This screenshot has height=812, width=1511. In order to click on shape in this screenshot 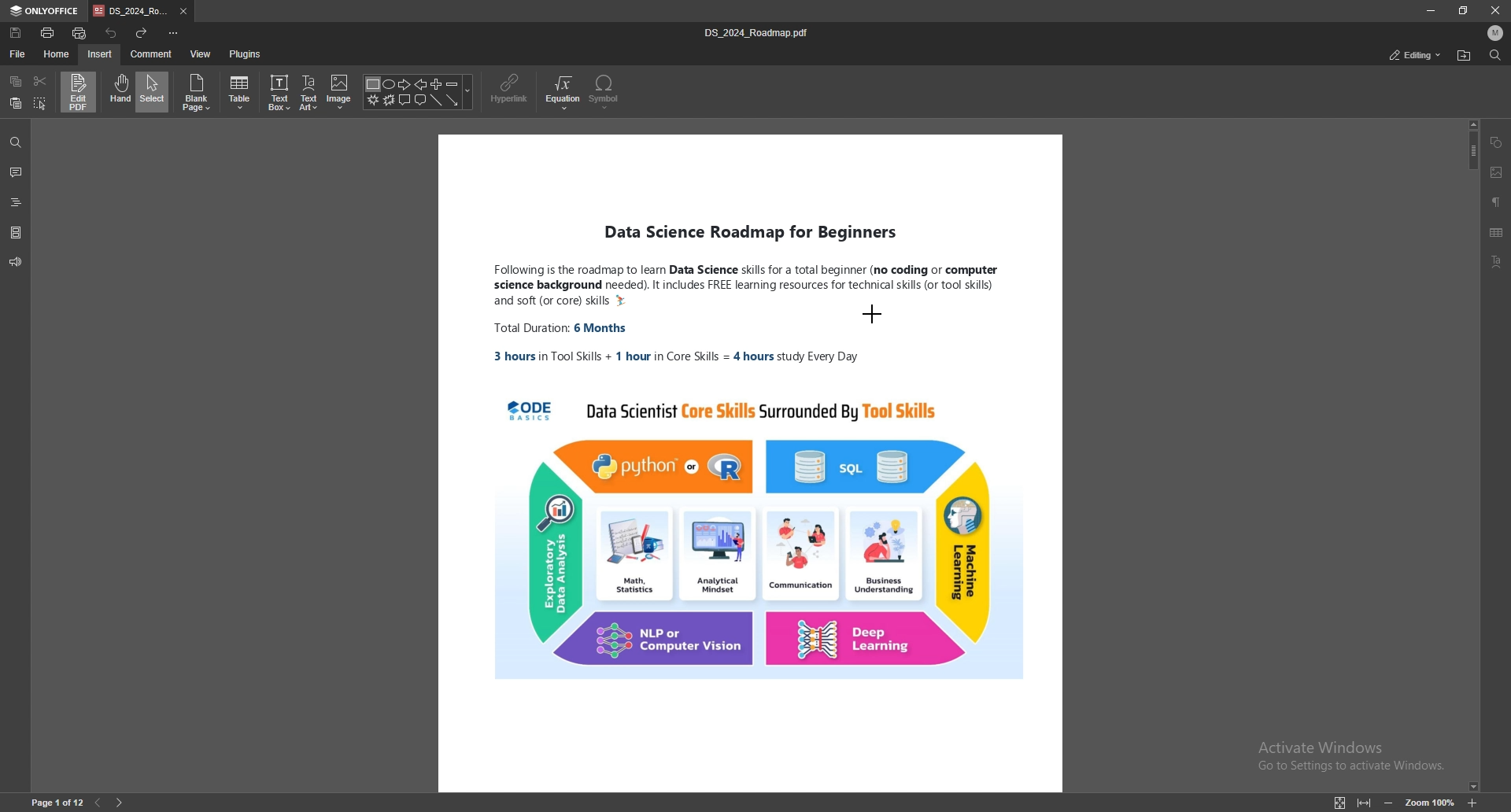, I will do `click(1498, 142)`.